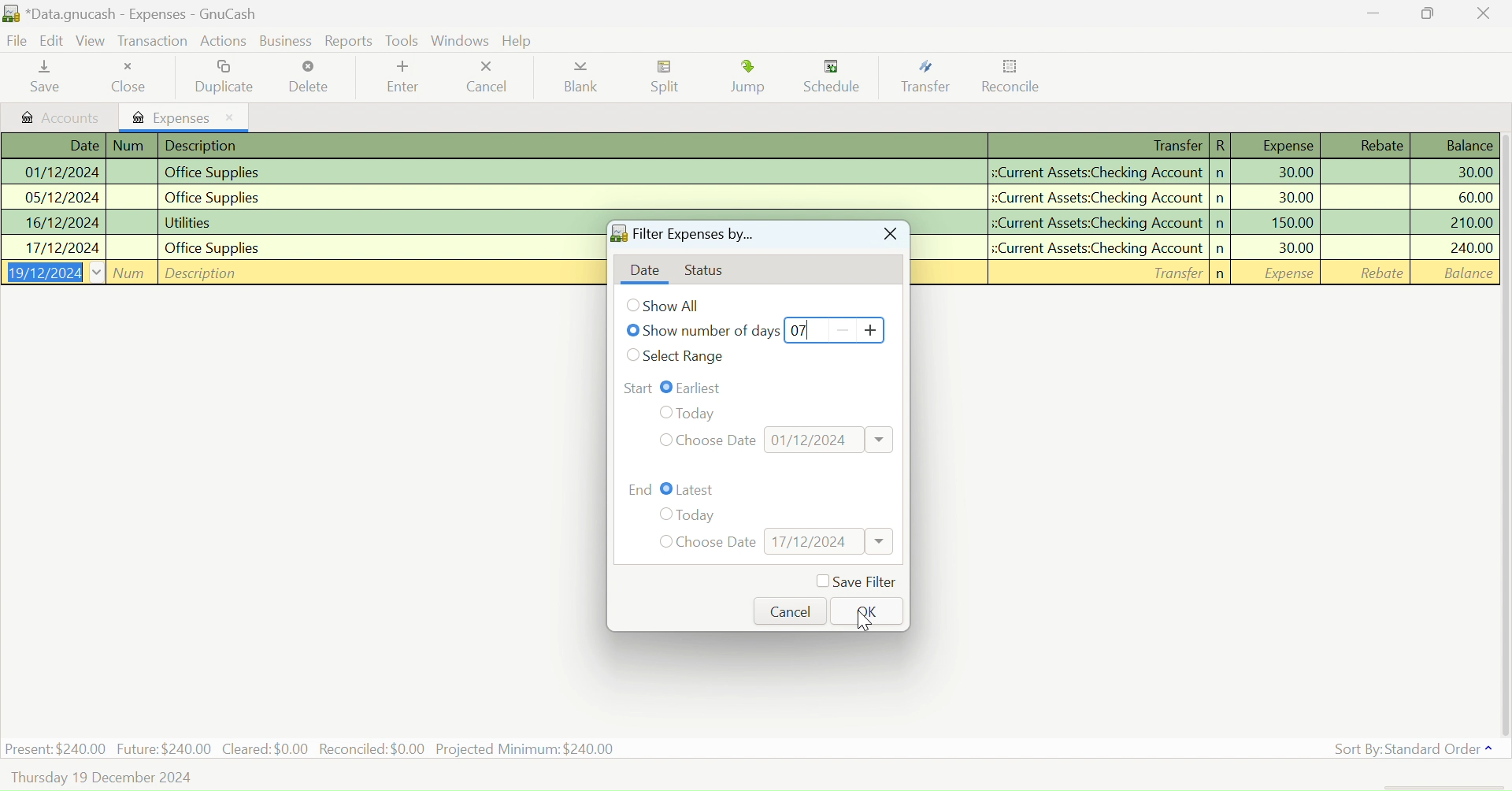 This screenshot has width=1512, height=791. I want to click on Office Supplies Transaction, so click(748, 197).